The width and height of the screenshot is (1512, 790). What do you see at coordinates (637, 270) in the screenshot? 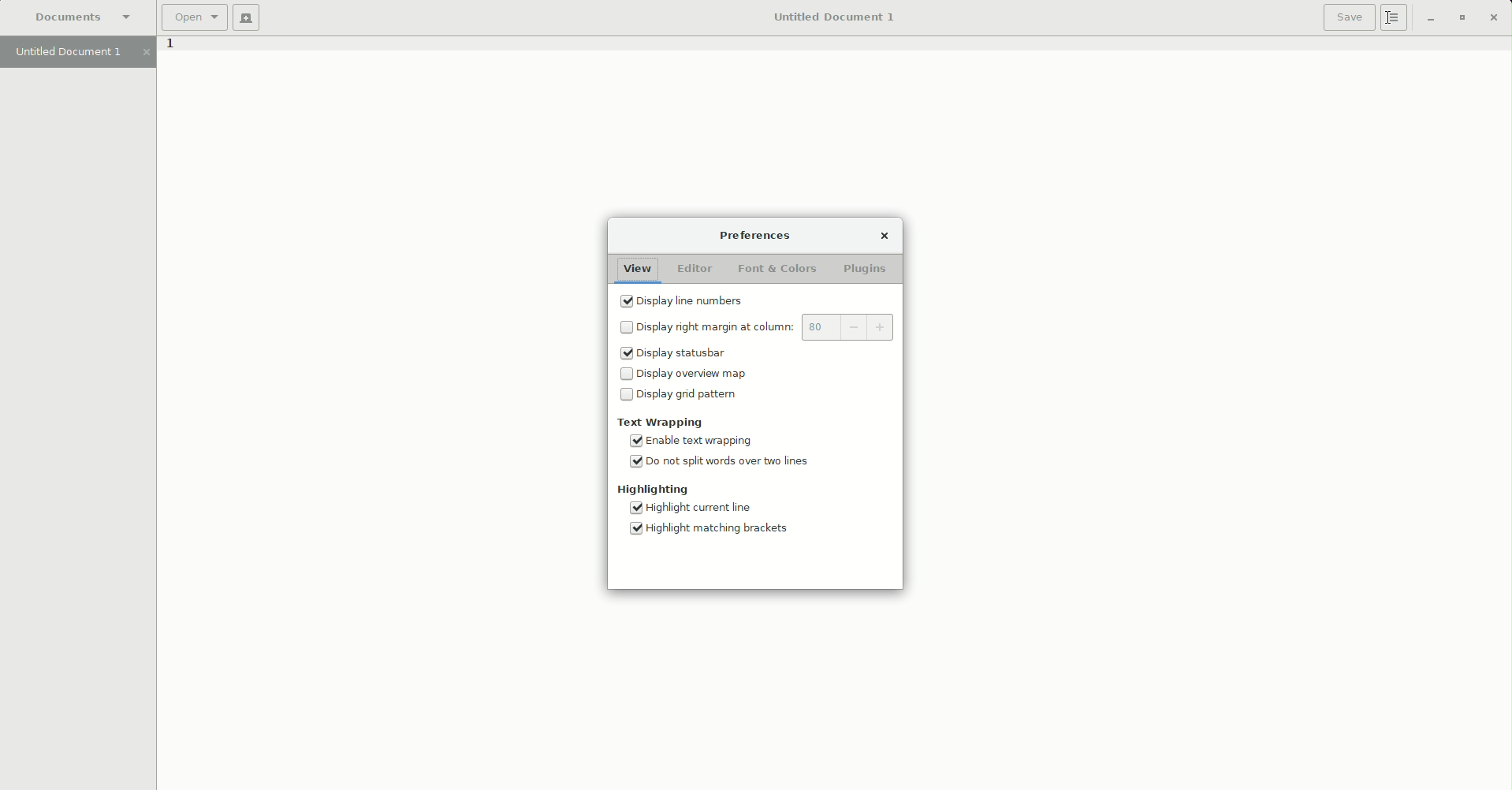
I see `View` at bounding box center [637, 270].